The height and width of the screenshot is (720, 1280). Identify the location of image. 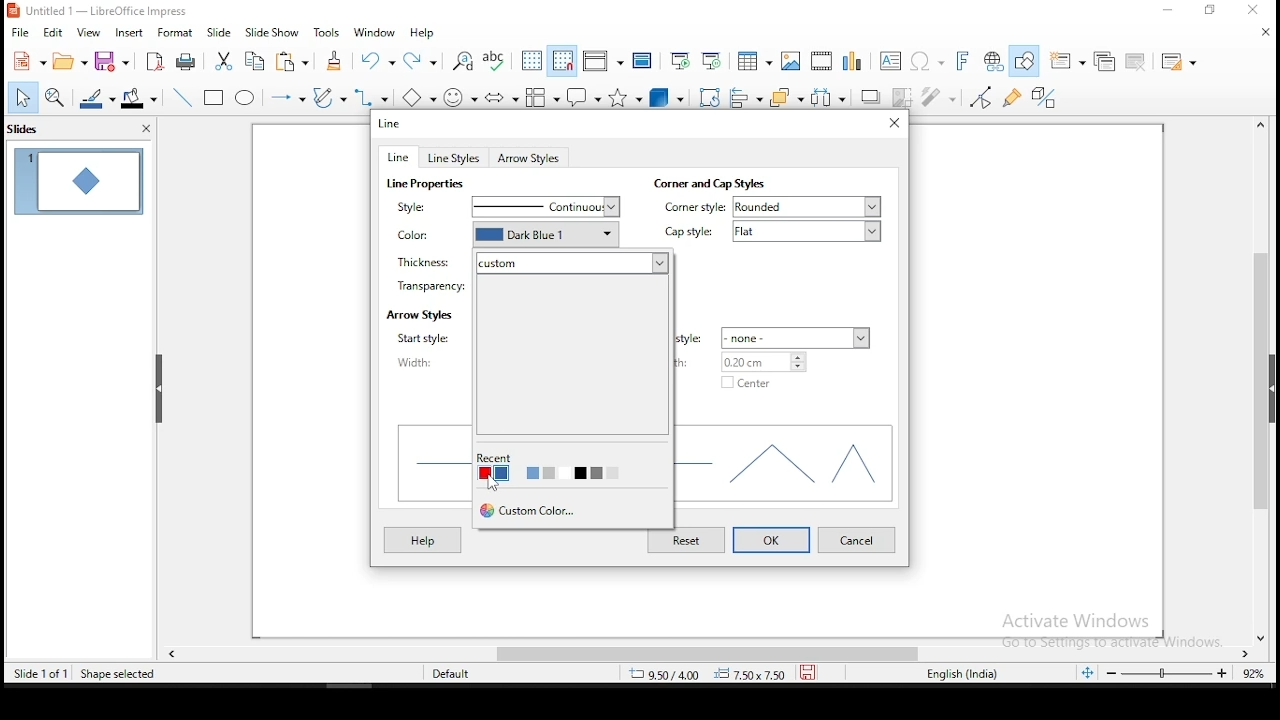
(795, 60).